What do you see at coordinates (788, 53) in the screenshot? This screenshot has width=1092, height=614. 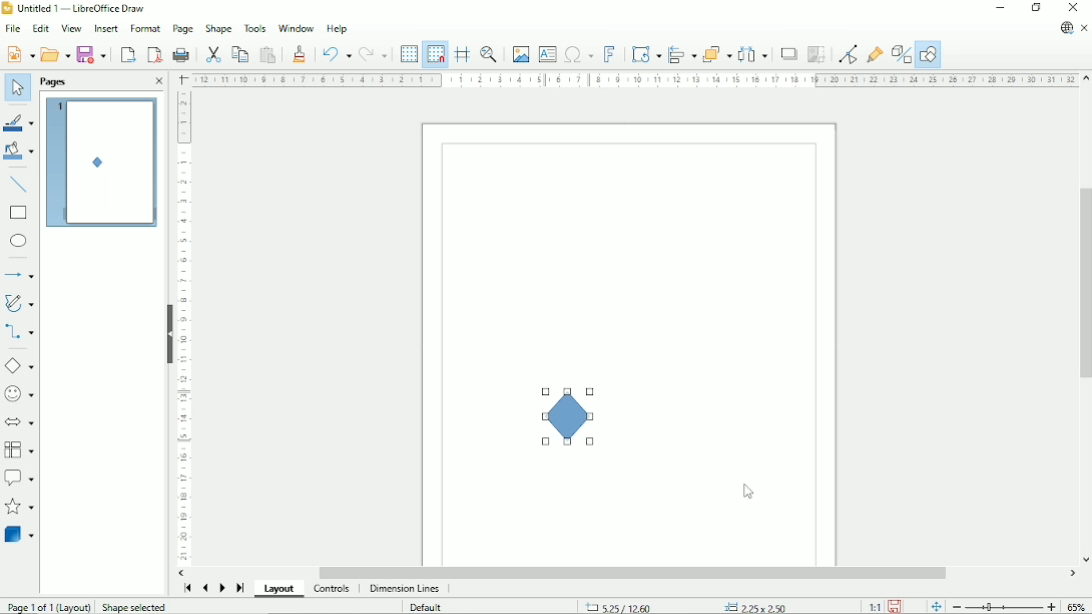 I see `Shadow` at bounding box center [788, 53].